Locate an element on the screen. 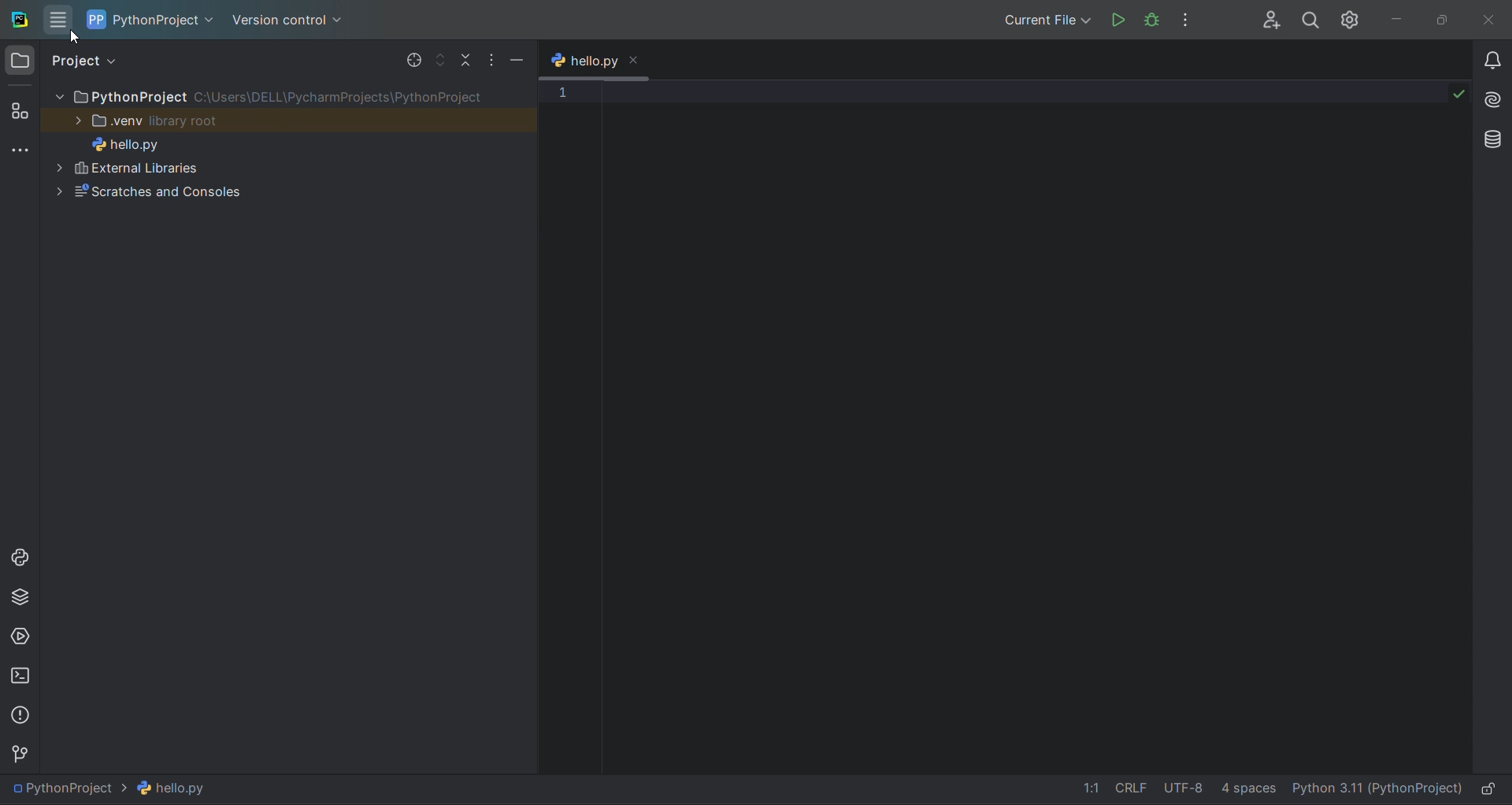 This screenshot has height=805, width=1512. close is located at coordinates (1493, 20).